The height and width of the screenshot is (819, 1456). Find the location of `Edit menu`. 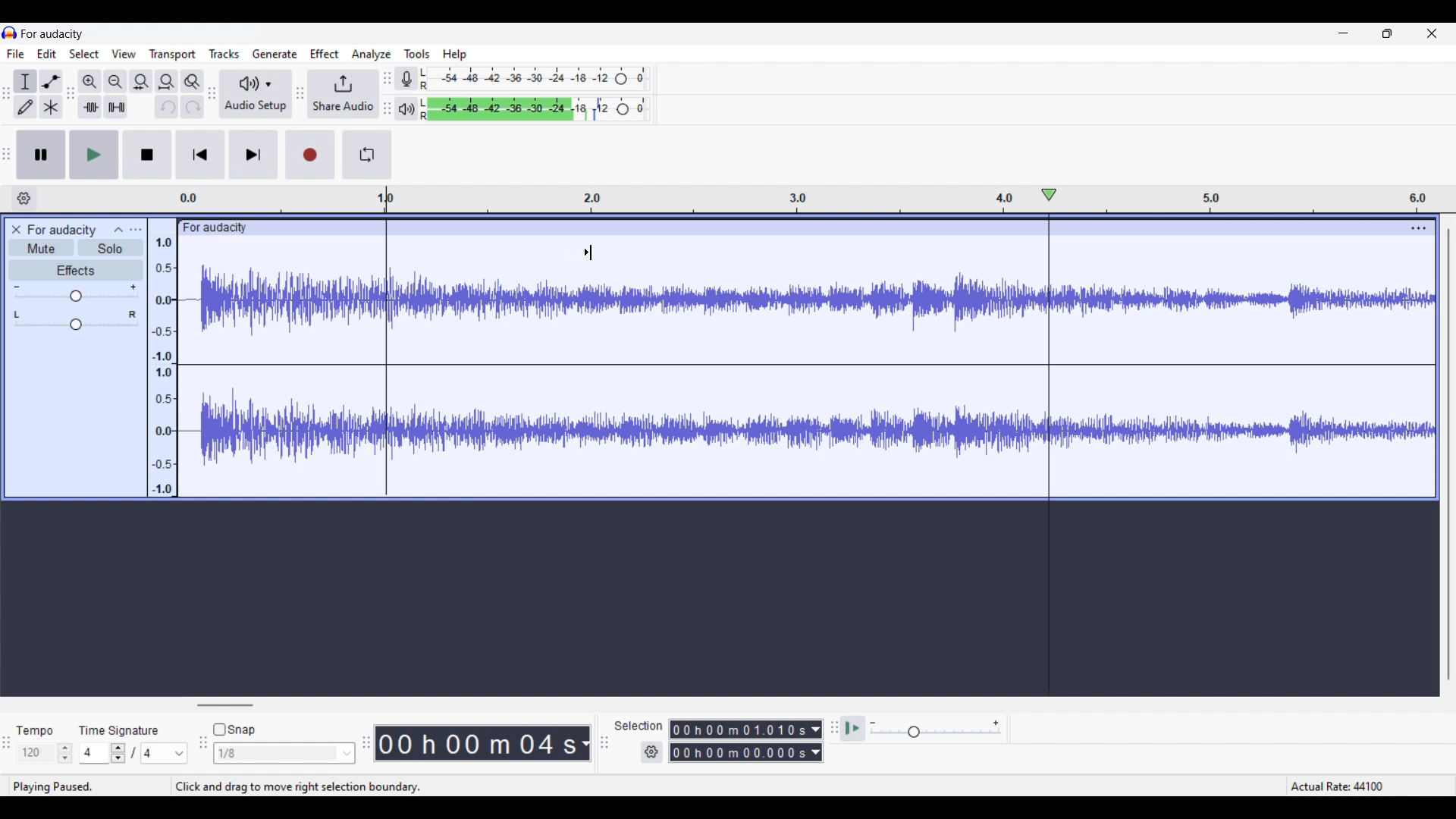

Edit menu is located at coordinates (46, 54).